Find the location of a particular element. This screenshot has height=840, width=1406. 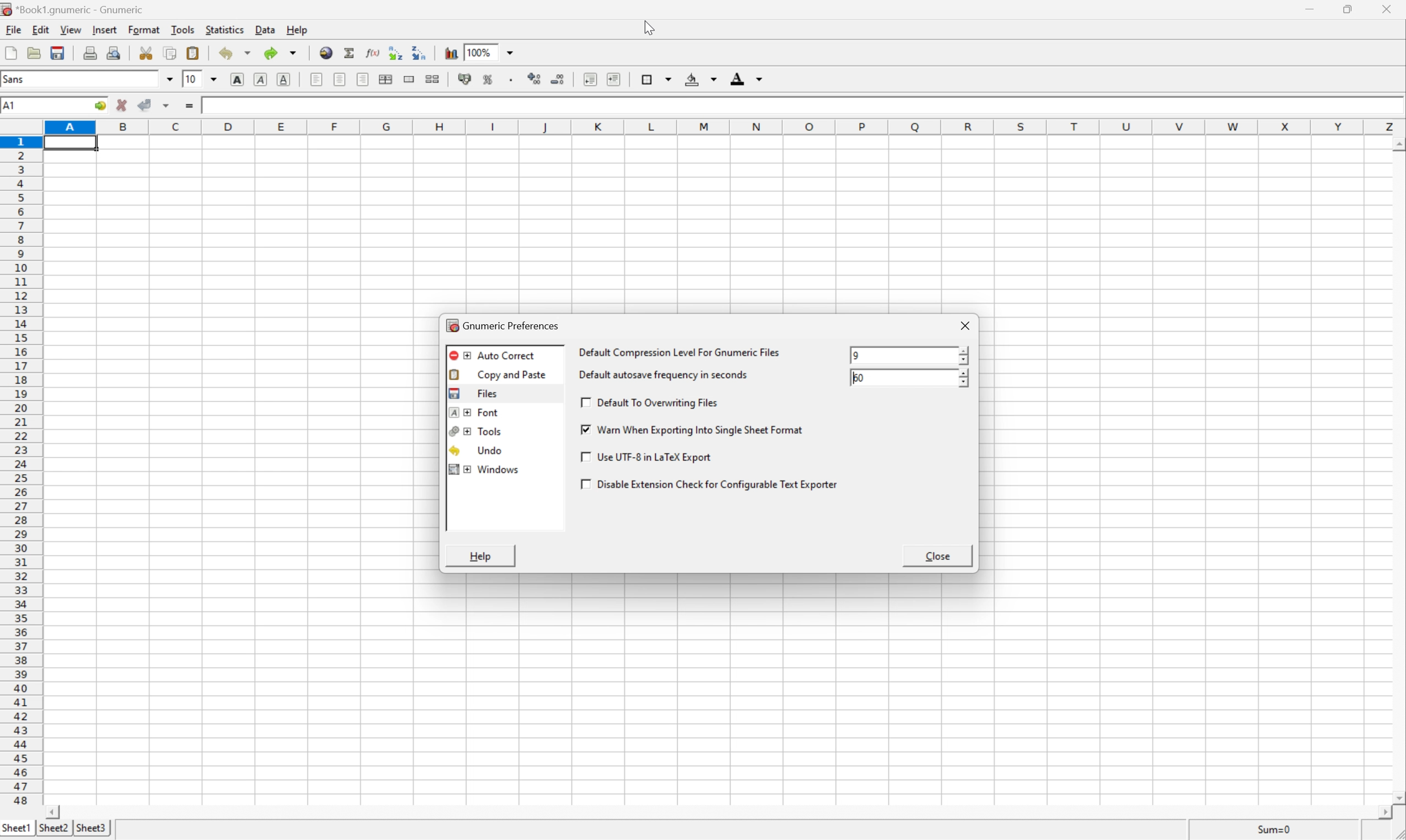

files is located at coordinates (471, 392).